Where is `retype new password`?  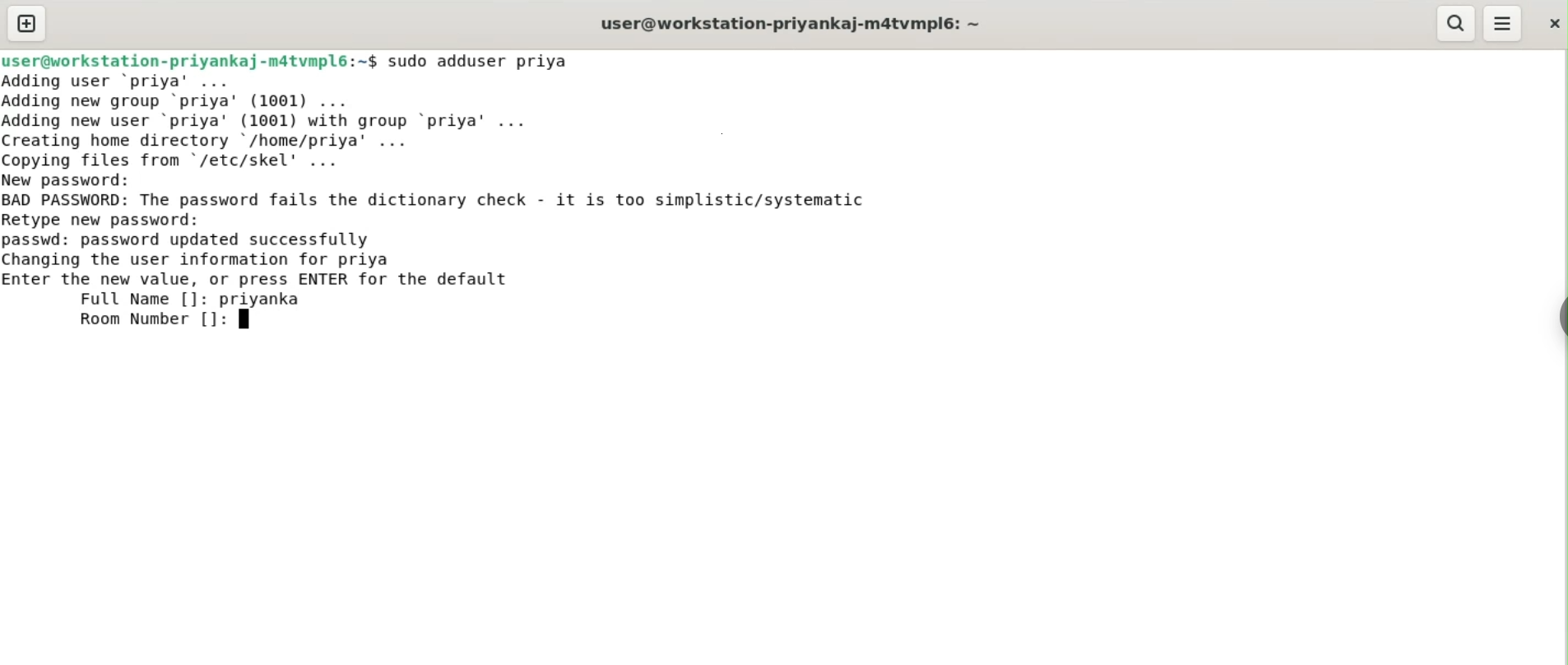 retype new password is located at coordinates (114, 219).